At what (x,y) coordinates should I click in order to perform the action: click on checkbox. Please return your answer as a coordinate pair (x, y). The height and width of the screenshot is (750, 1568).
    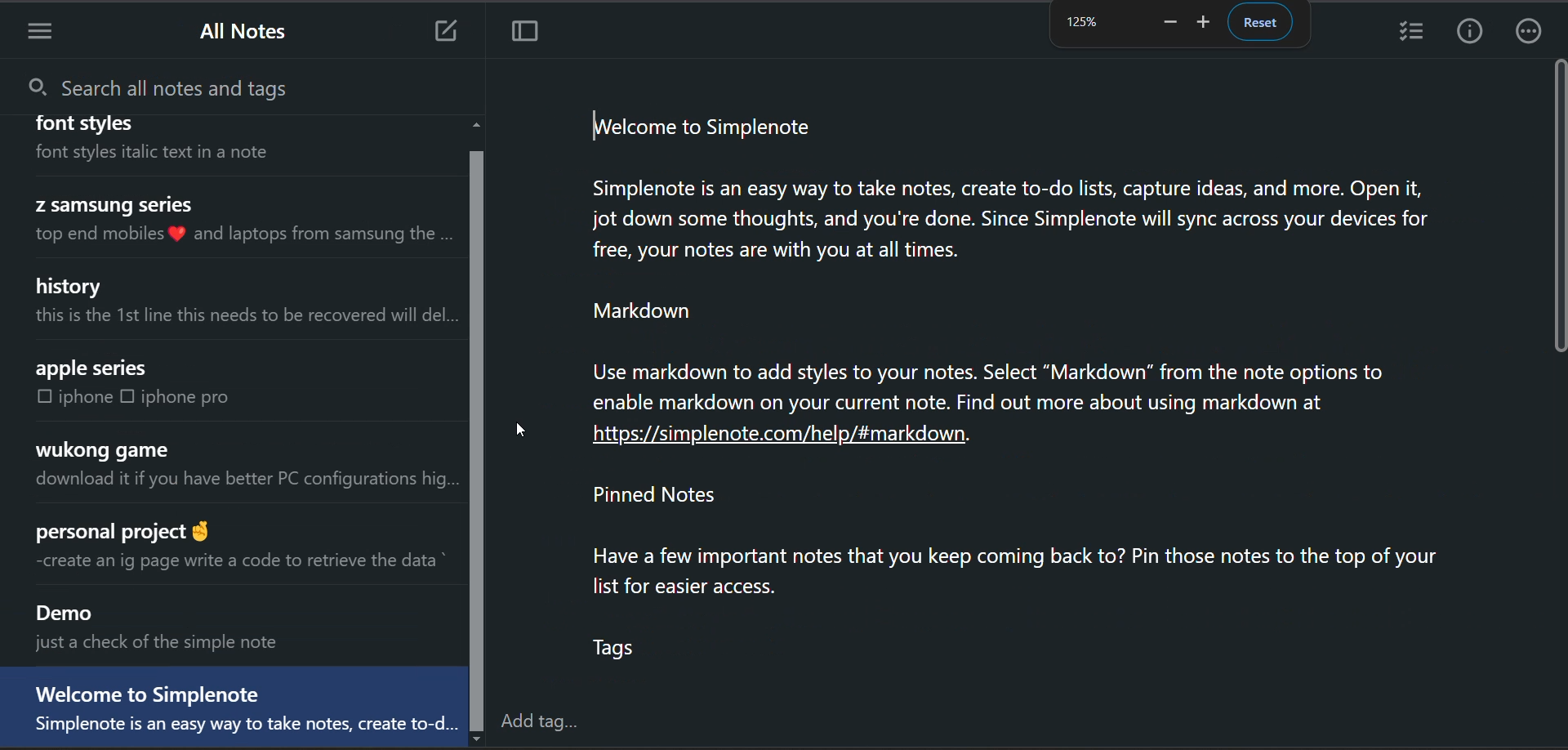
    Looking at the image, I should click on (41, 398).